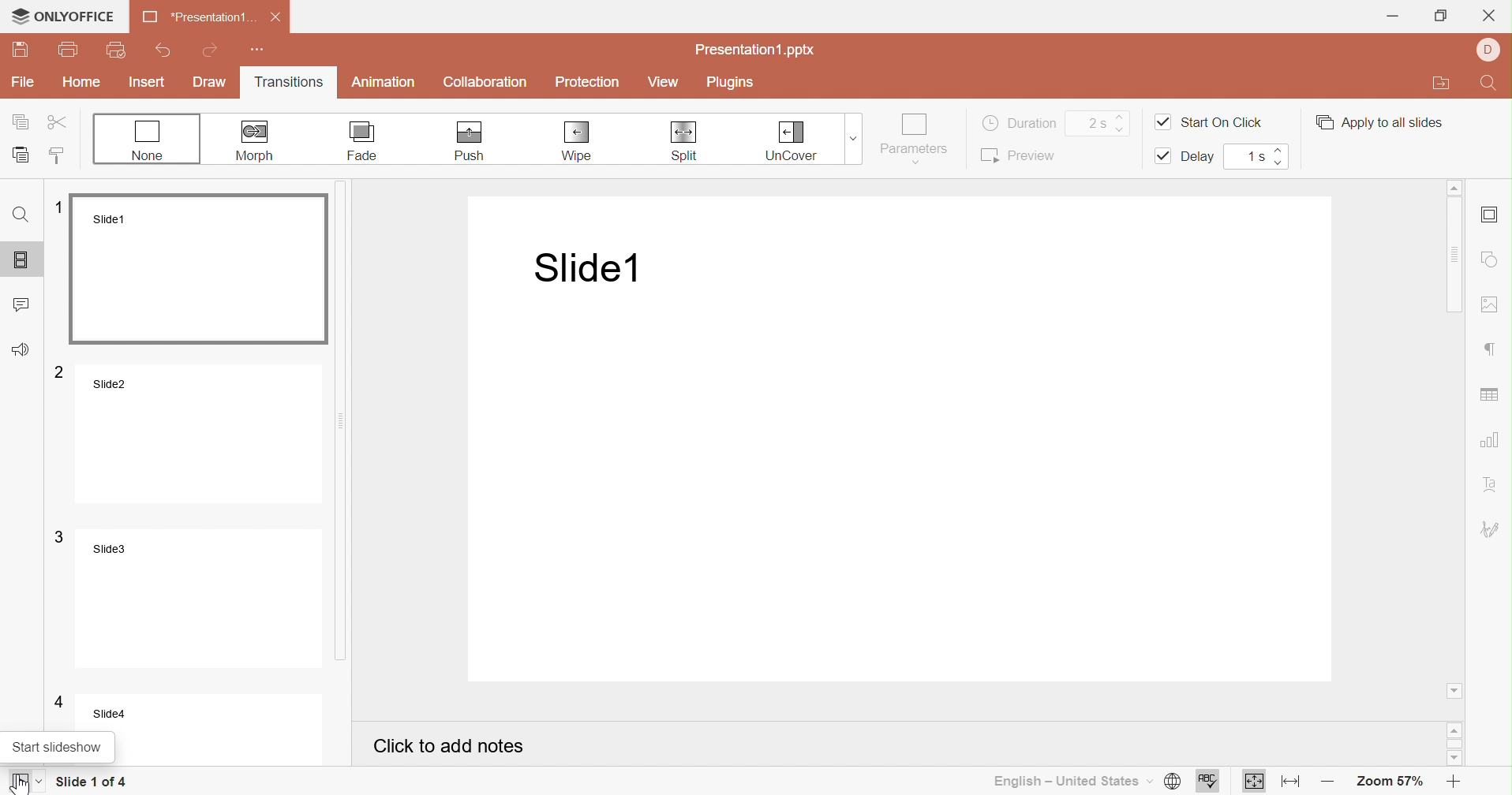  I want to click on Quick print, so click(118, 51).